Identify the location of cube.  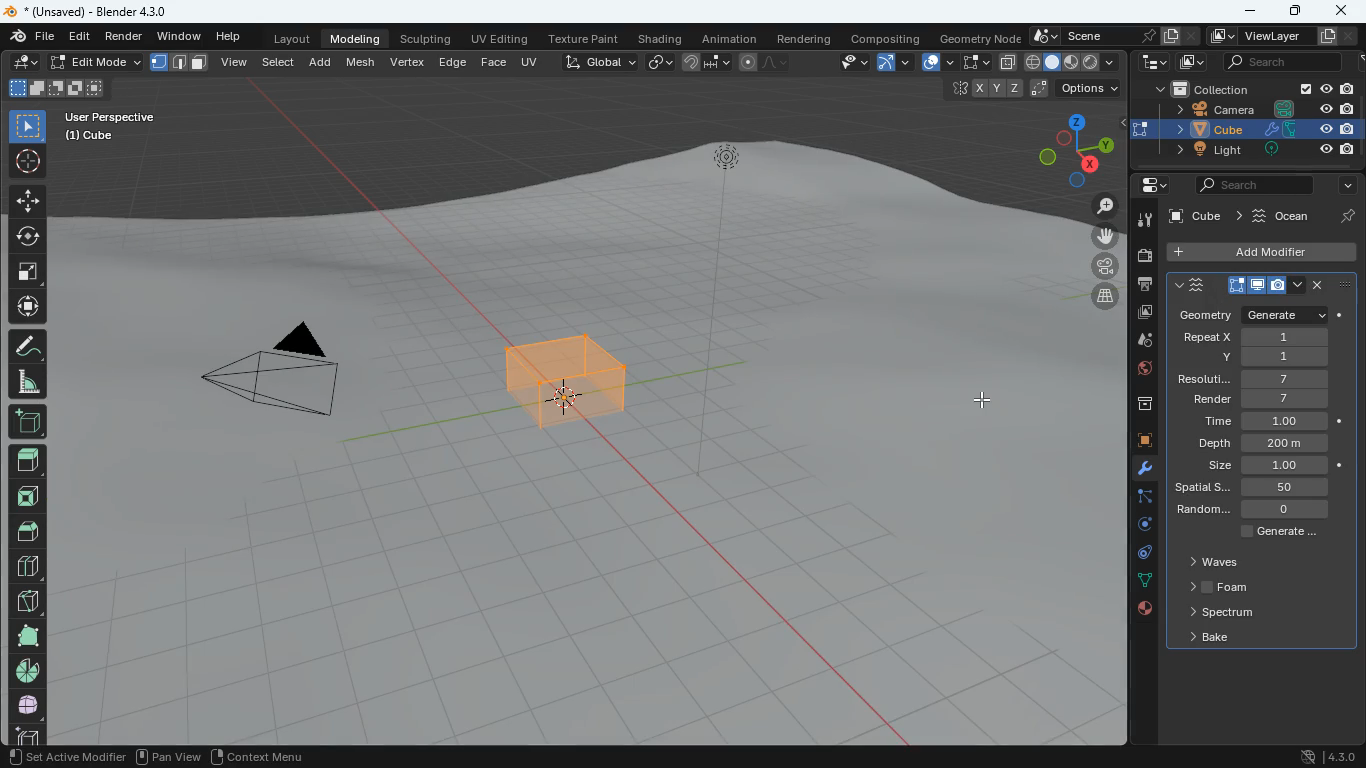
(1205, 214).